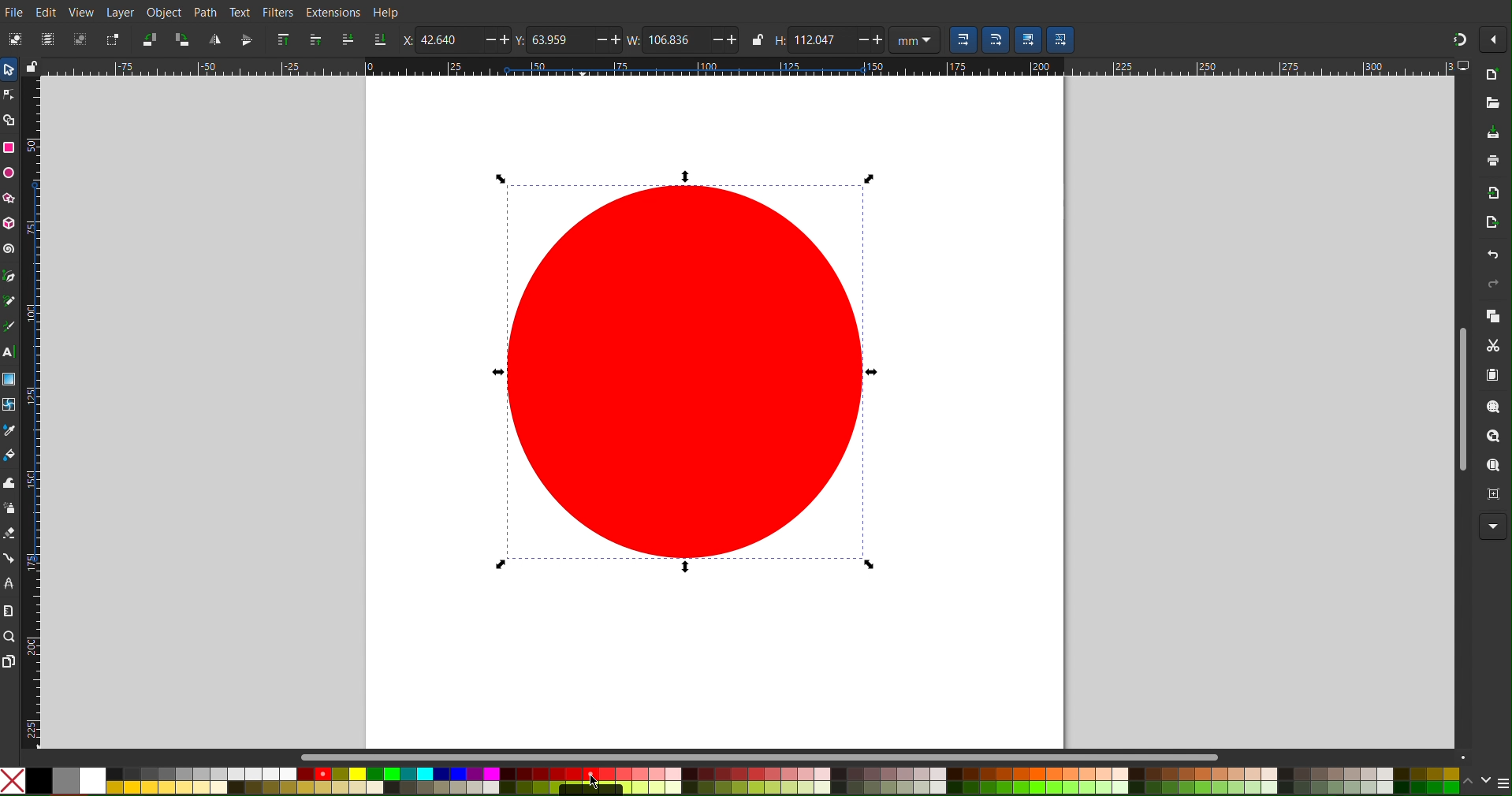 This screenshot has height=796, width=1512. Describe the element at coordinates (446, 39) in the screenshot. I see `42` at that location.